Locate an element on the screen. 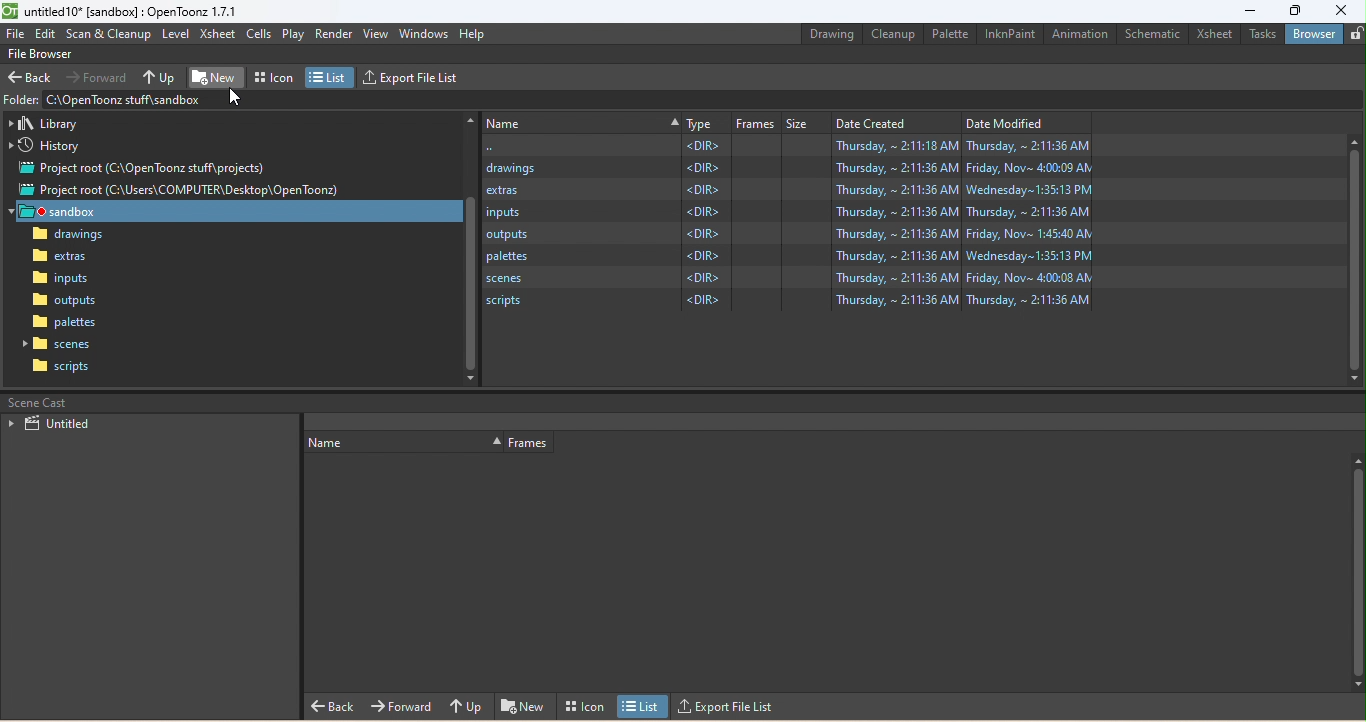 This screenshot has height=722, width=1366. Export file list is located at coordinates (729, 707).